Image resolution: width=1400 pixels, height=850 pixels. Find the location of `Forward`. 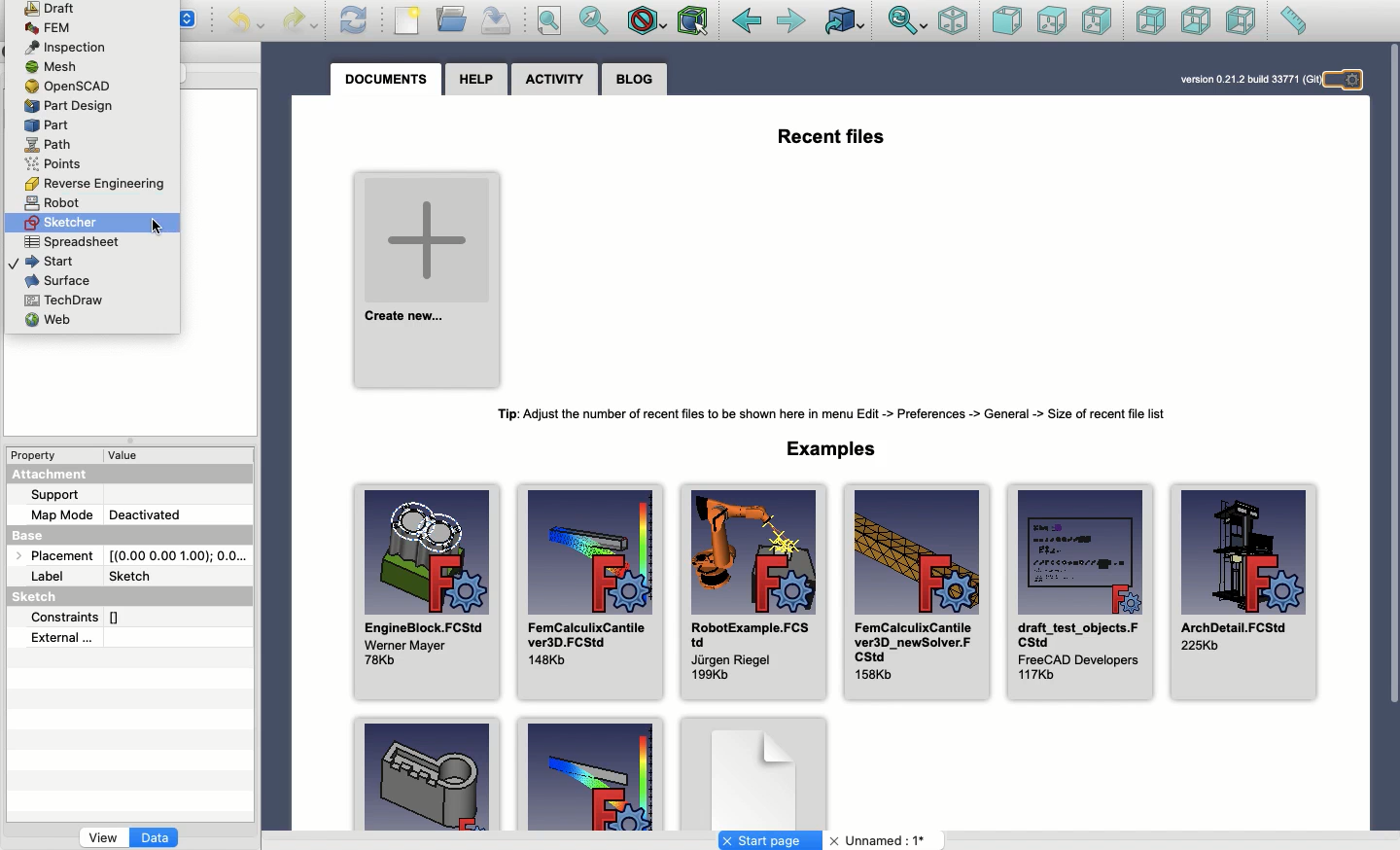

Forward is located at coordinates (793, 22).